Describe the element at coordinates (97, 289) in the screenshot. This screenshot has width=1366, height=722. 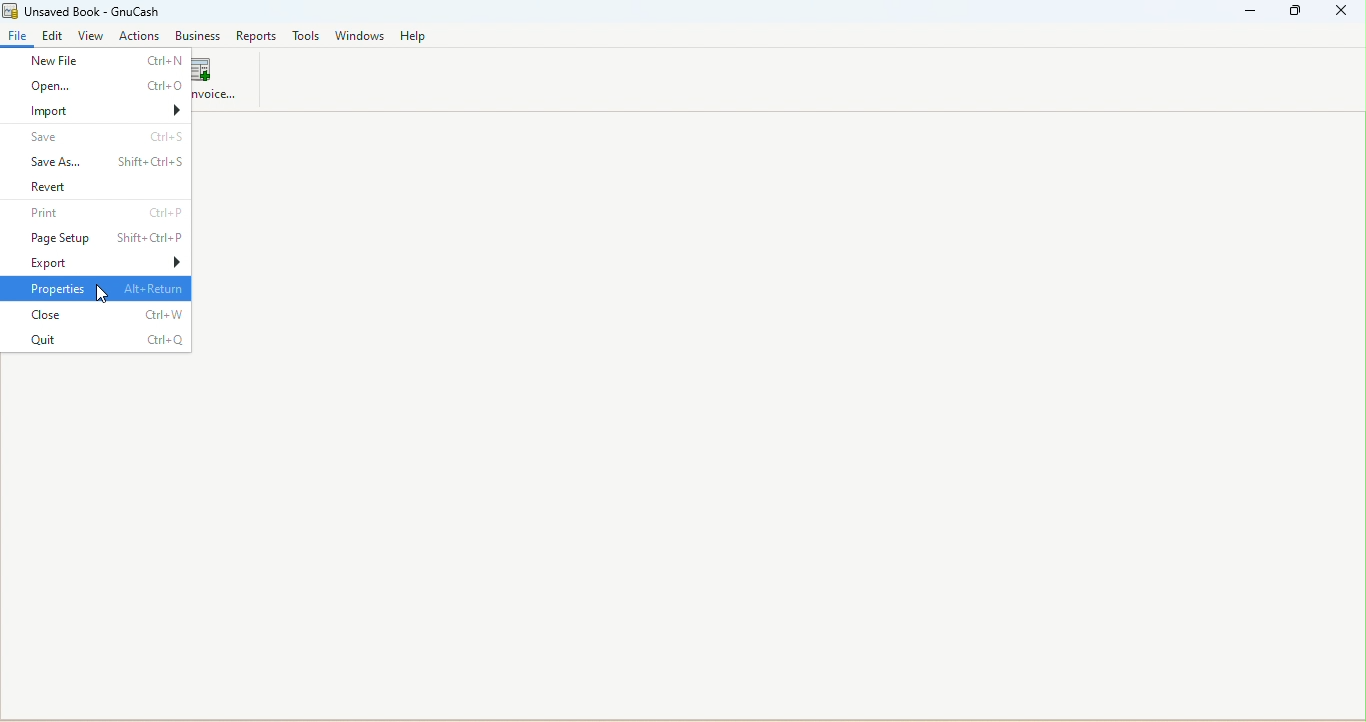
I see `Properties` at that location.